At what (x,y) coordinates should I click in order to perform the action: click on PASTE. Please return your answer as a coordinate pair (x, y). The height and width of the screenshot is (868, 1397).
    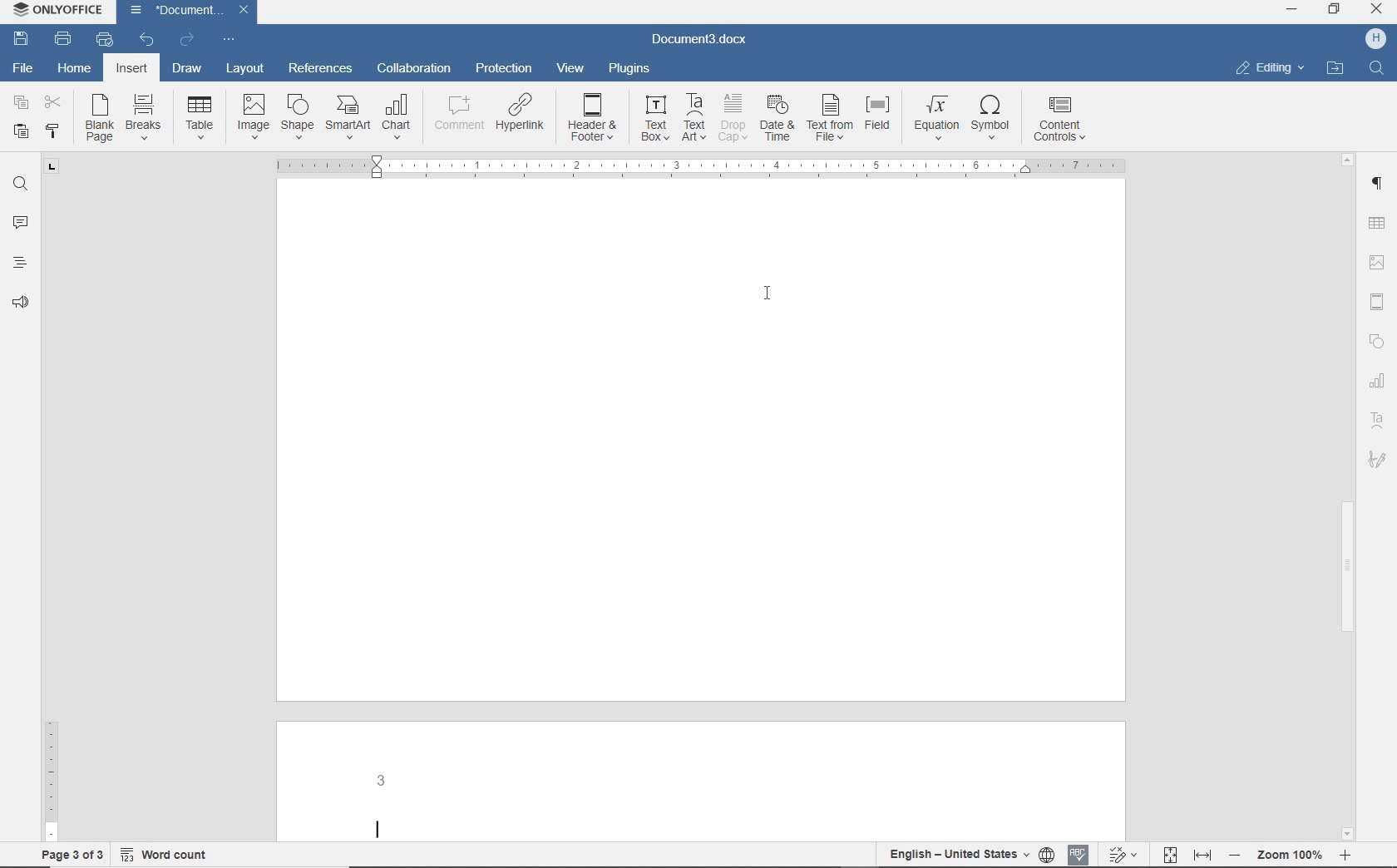
    Looking at the image, I should click on (22, 130).